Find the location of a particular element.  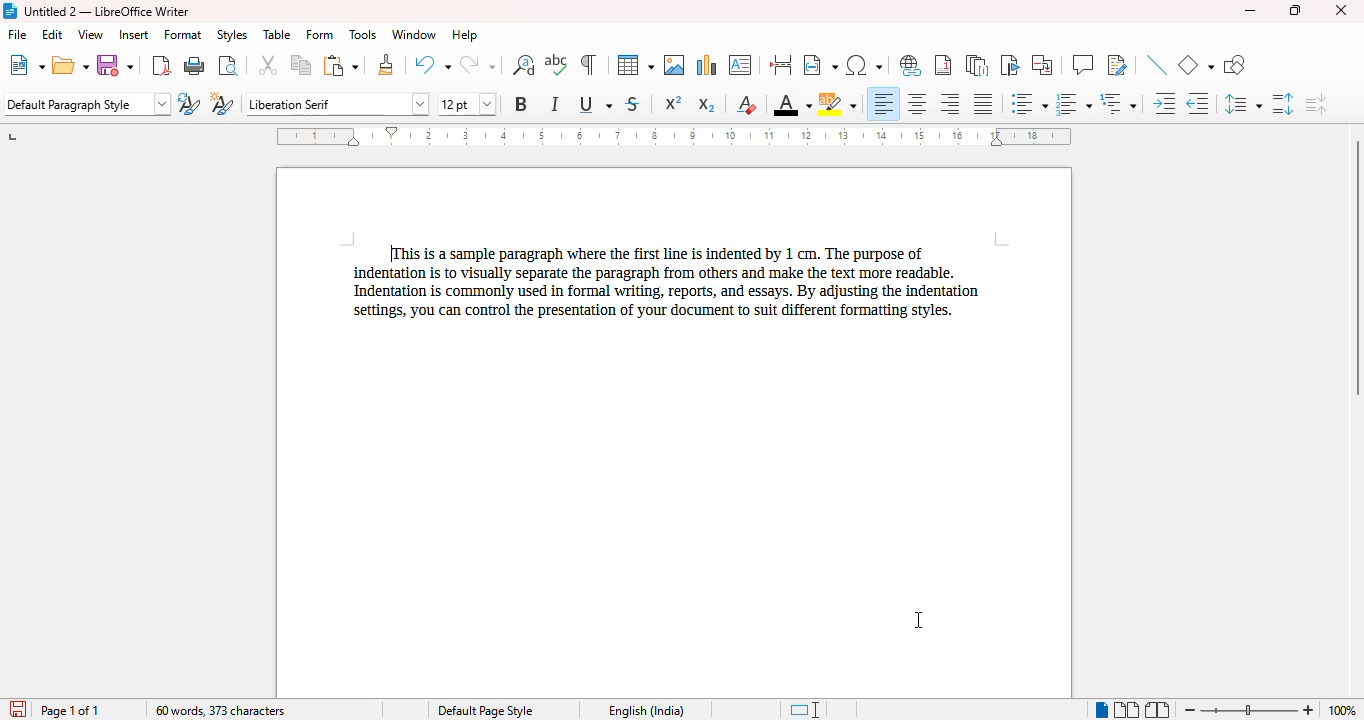

cursor is located at coordinates (918, 619).